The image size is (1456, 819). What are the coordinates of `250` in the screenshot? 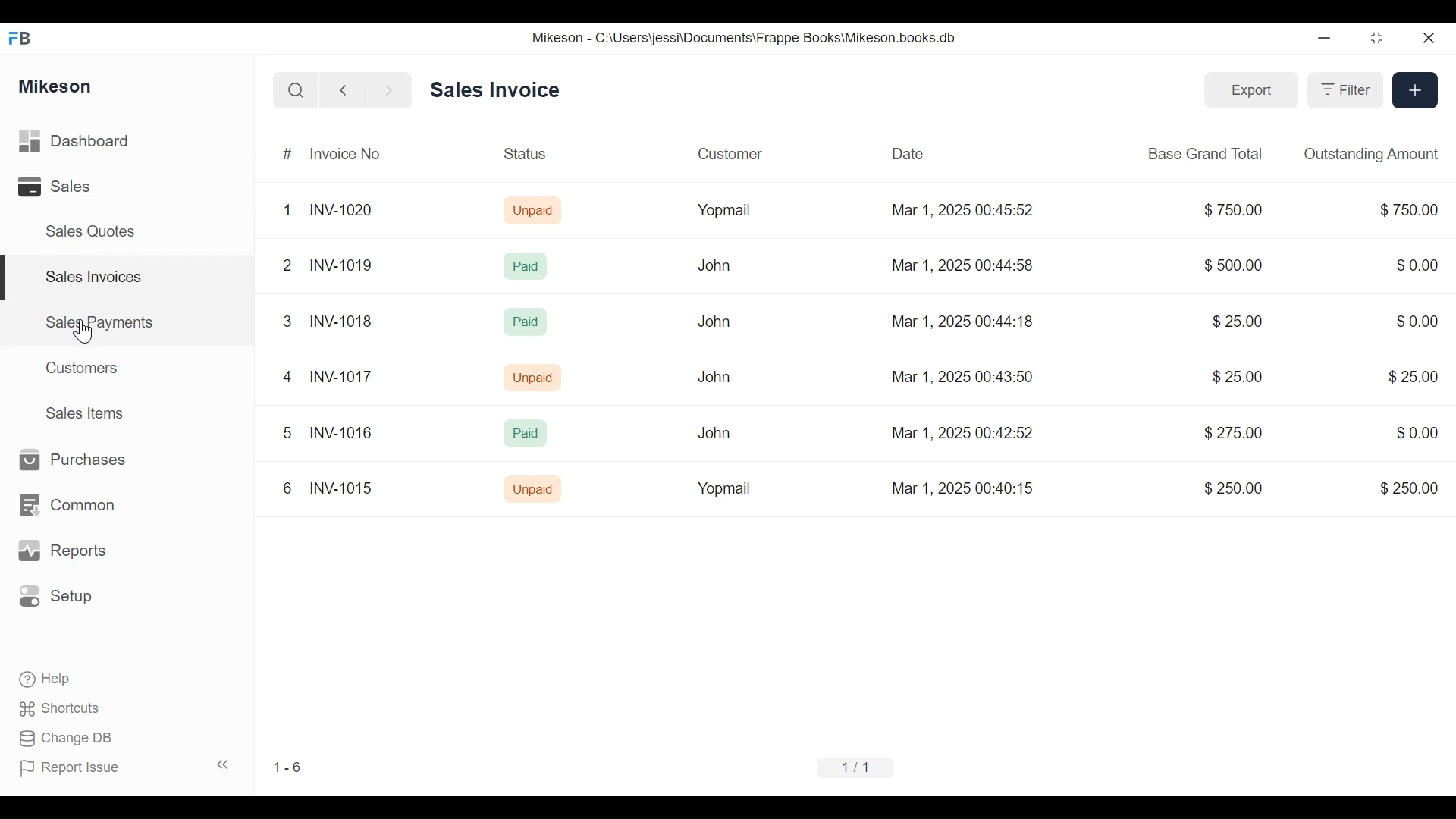 It's located at (1406, 488).